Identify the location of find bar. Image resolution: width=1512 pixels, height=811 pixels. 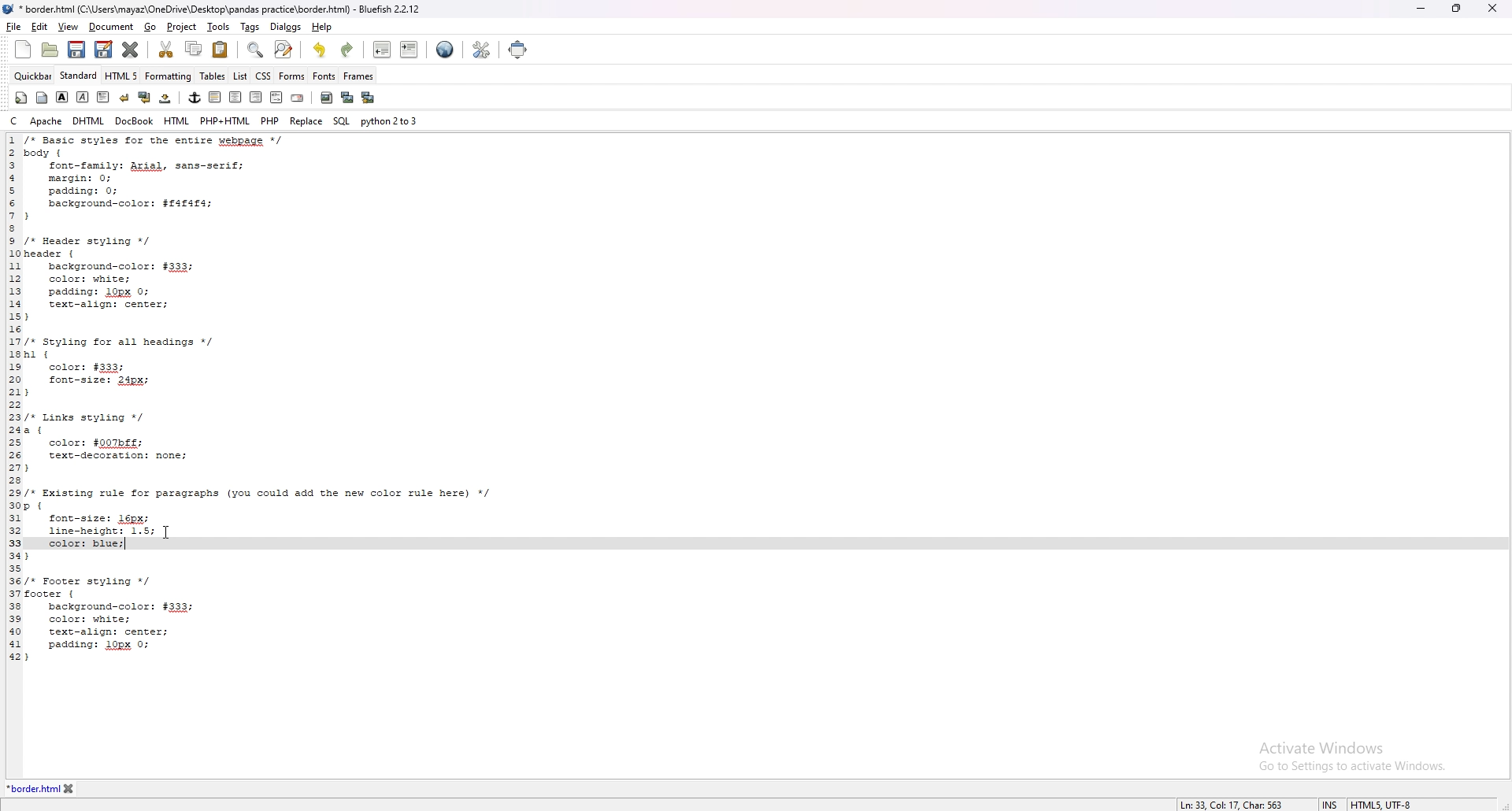
(256, 50).